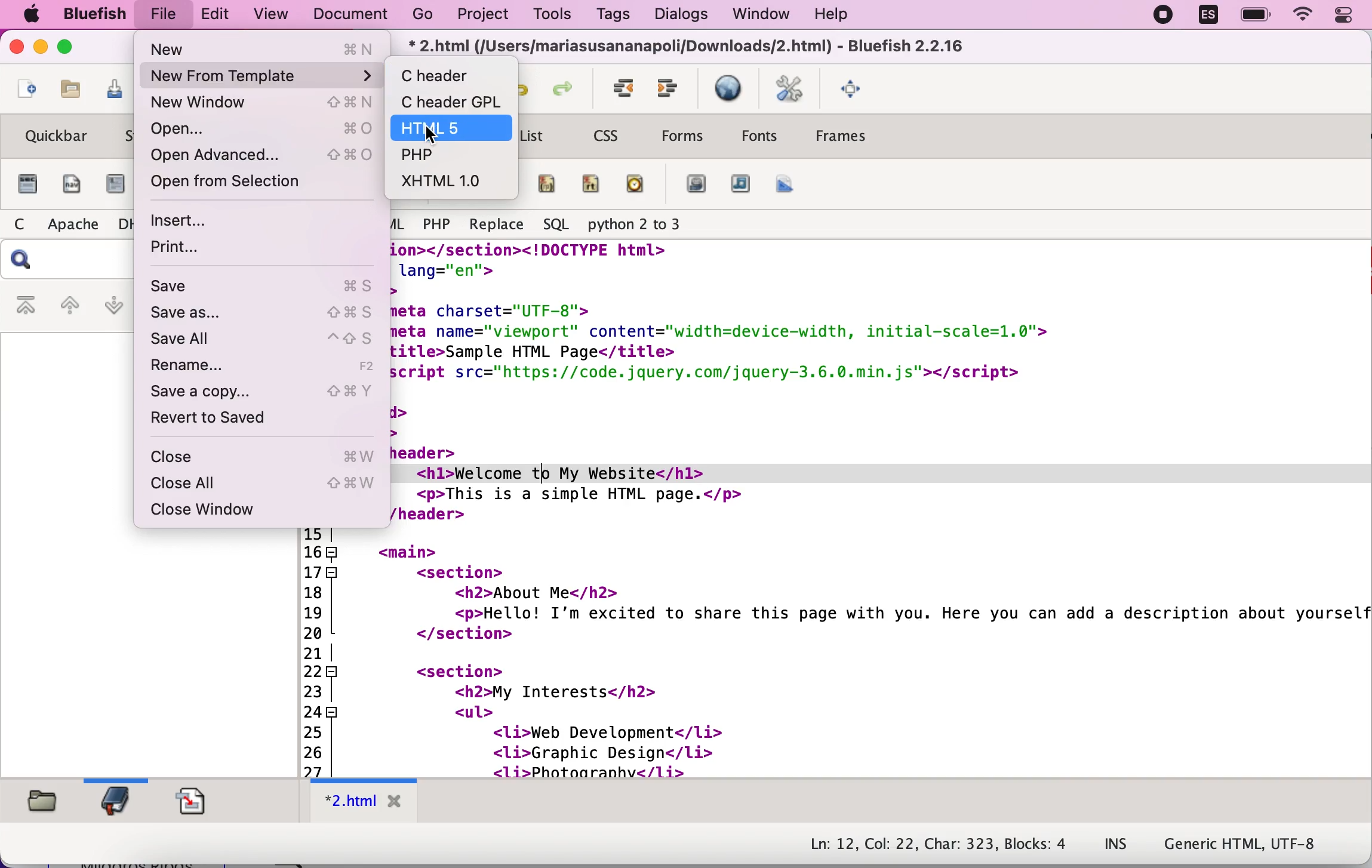 The image size is (1372, 868). What do you see at coordinates (534, 138) in the screenshot?
I see `list` at bounding box center [534, 138].